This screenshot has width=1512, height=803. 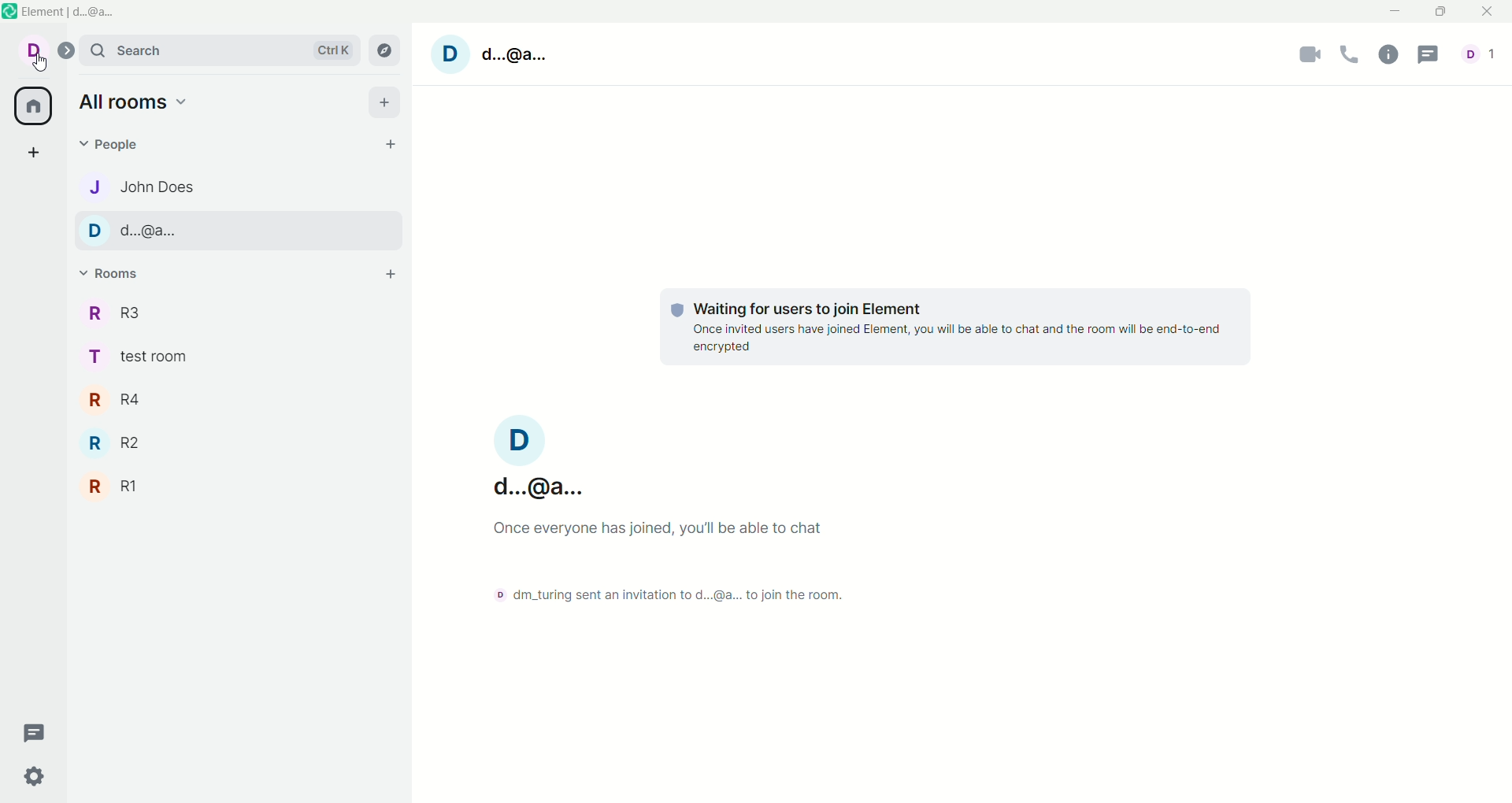 What do you see at coordinates (122, 445) in the screenshot?
I see `R2` at bounding box center [122, 445].